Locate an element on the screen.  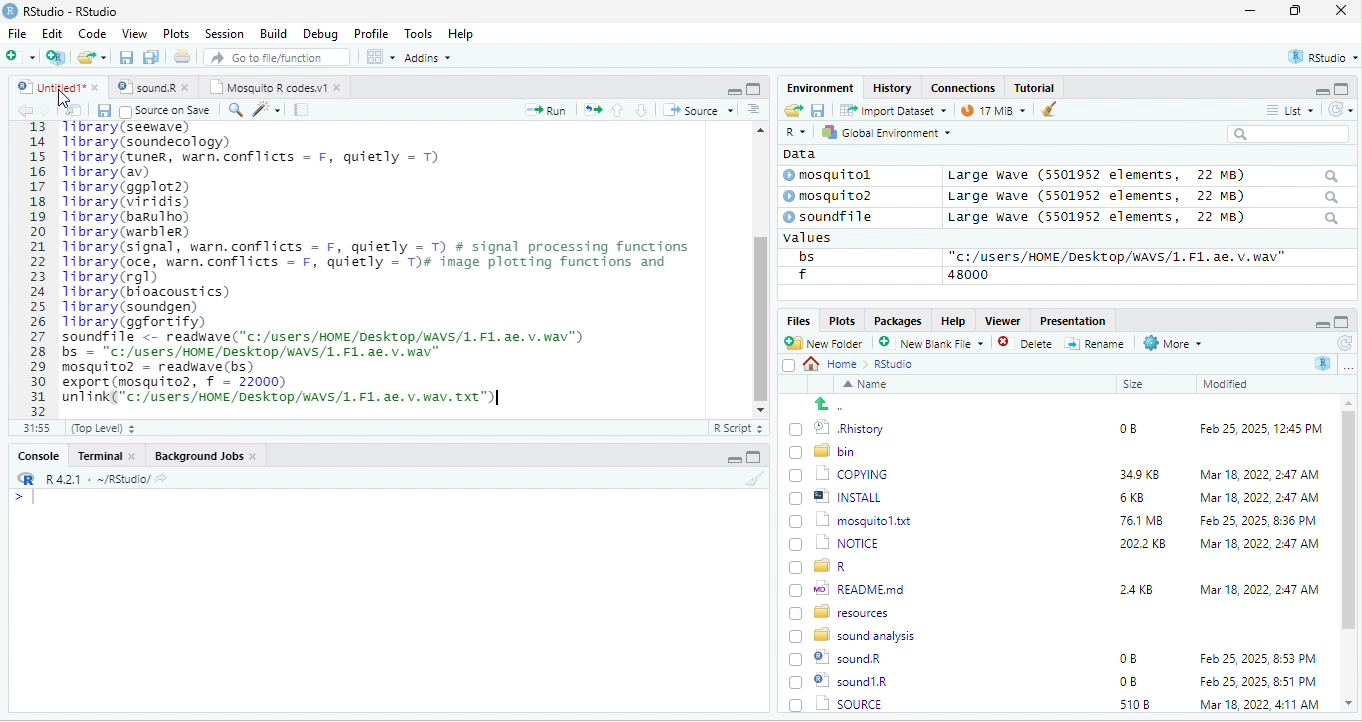
new project is located at coordinates (57, 57).